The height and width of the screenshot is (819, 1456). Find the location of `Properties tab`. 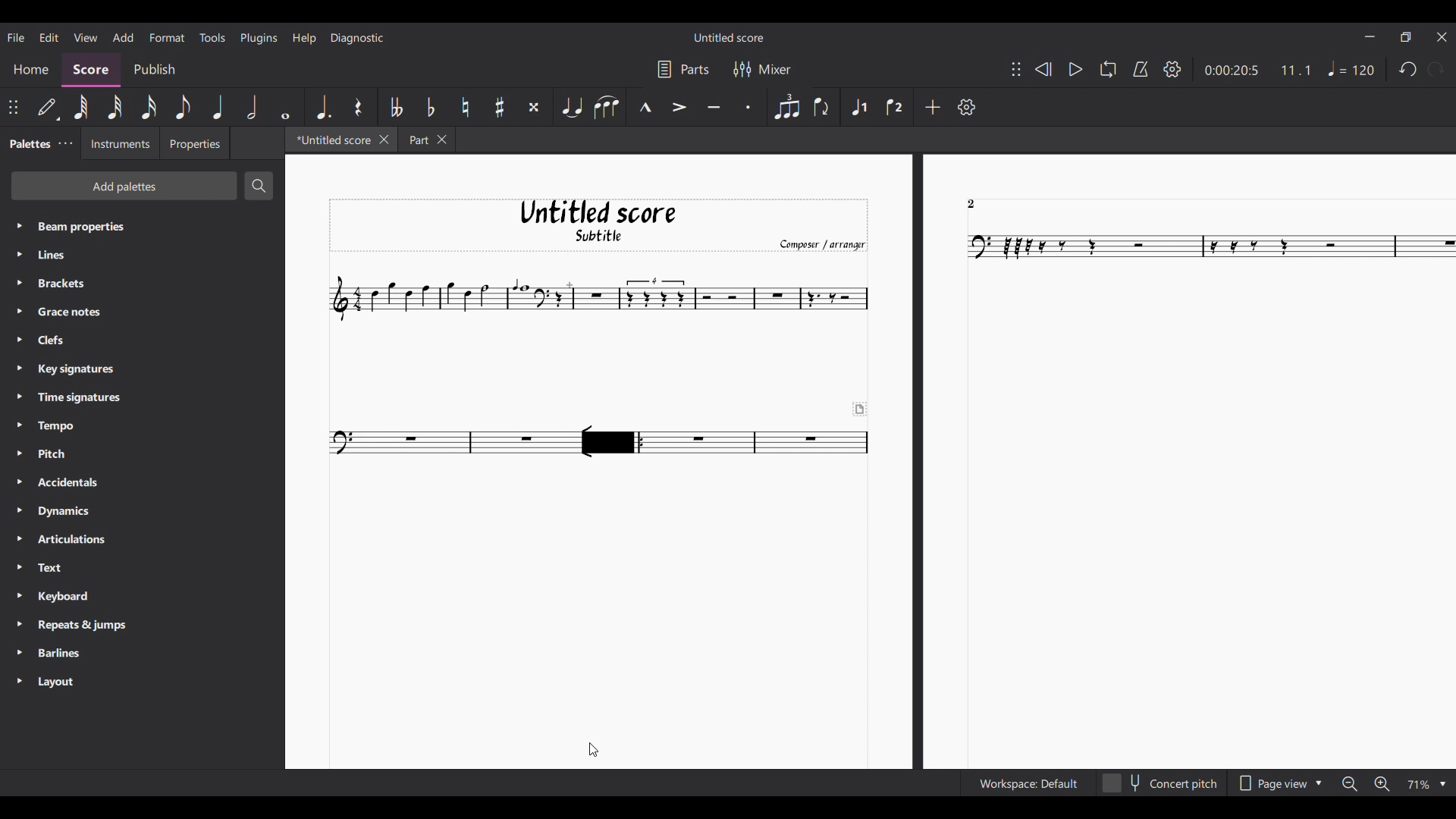

Properties tab is located at coordinates (195, 143).